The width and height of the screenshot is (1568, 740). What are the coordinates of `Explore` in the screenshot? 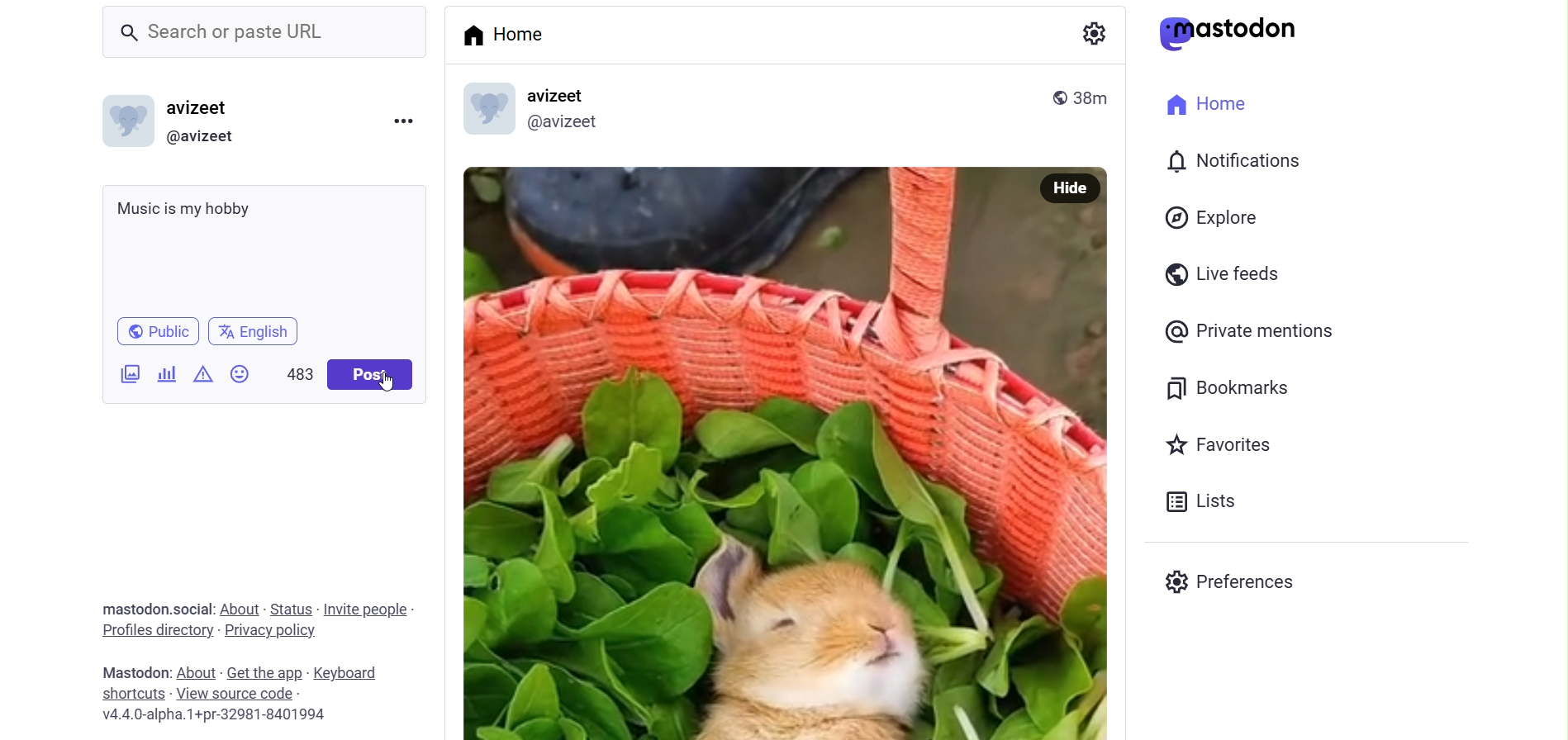 It's located at (1215, 219).